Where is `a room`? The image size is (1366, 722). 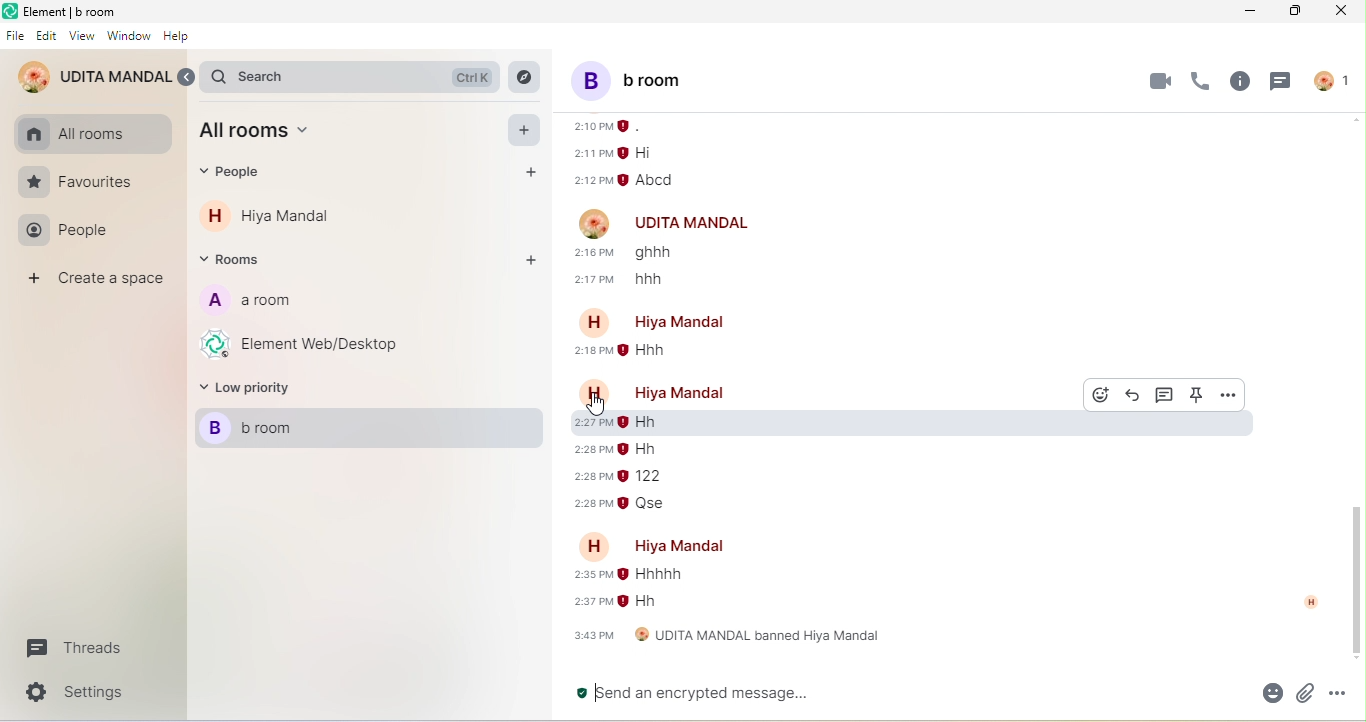 a room is located at coordinates (247, 303).